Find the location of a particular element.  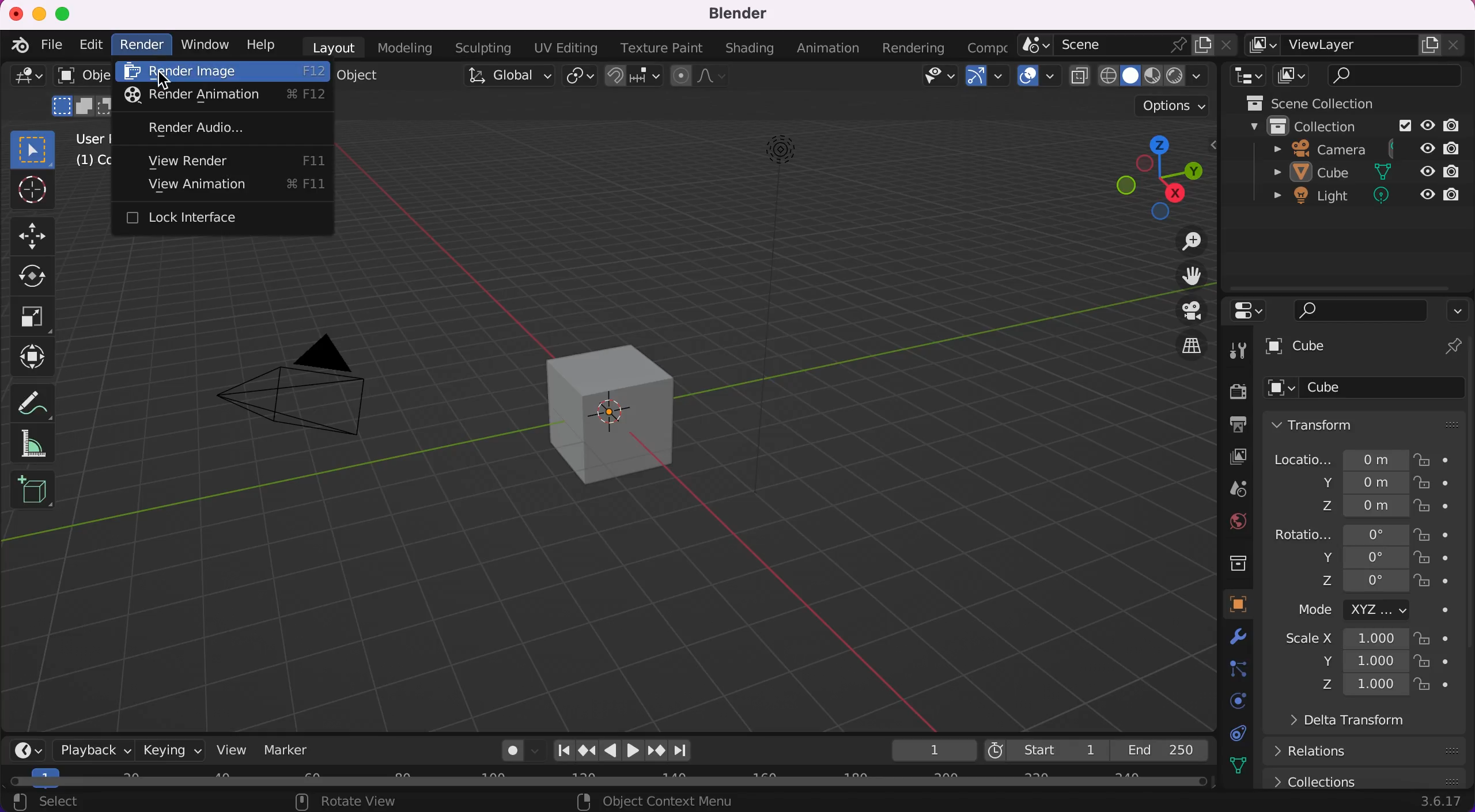

Play animation is located at coordinates (636, 751).